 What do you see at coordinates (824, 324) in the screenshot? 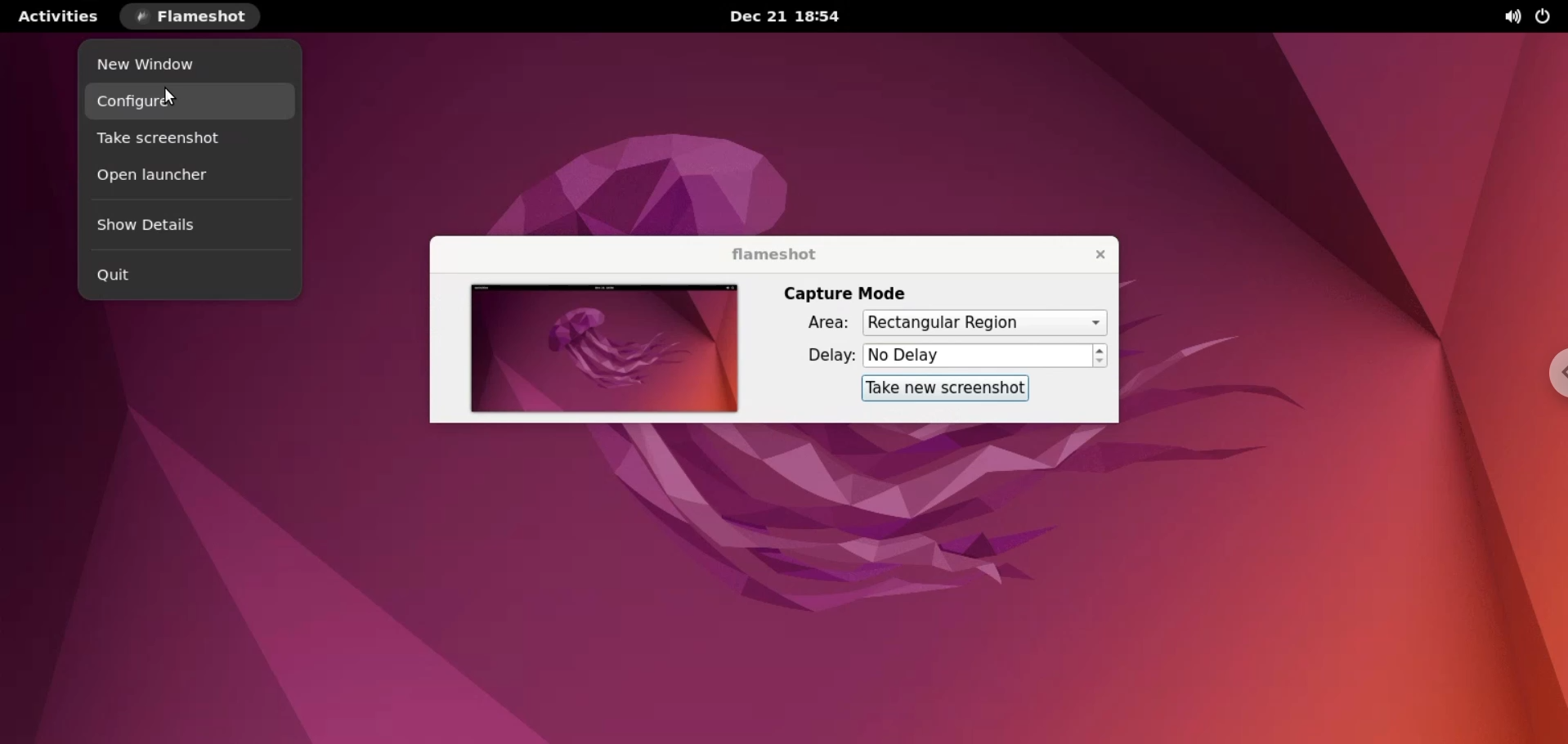
I see `area:` at bounding box center [824, 324].